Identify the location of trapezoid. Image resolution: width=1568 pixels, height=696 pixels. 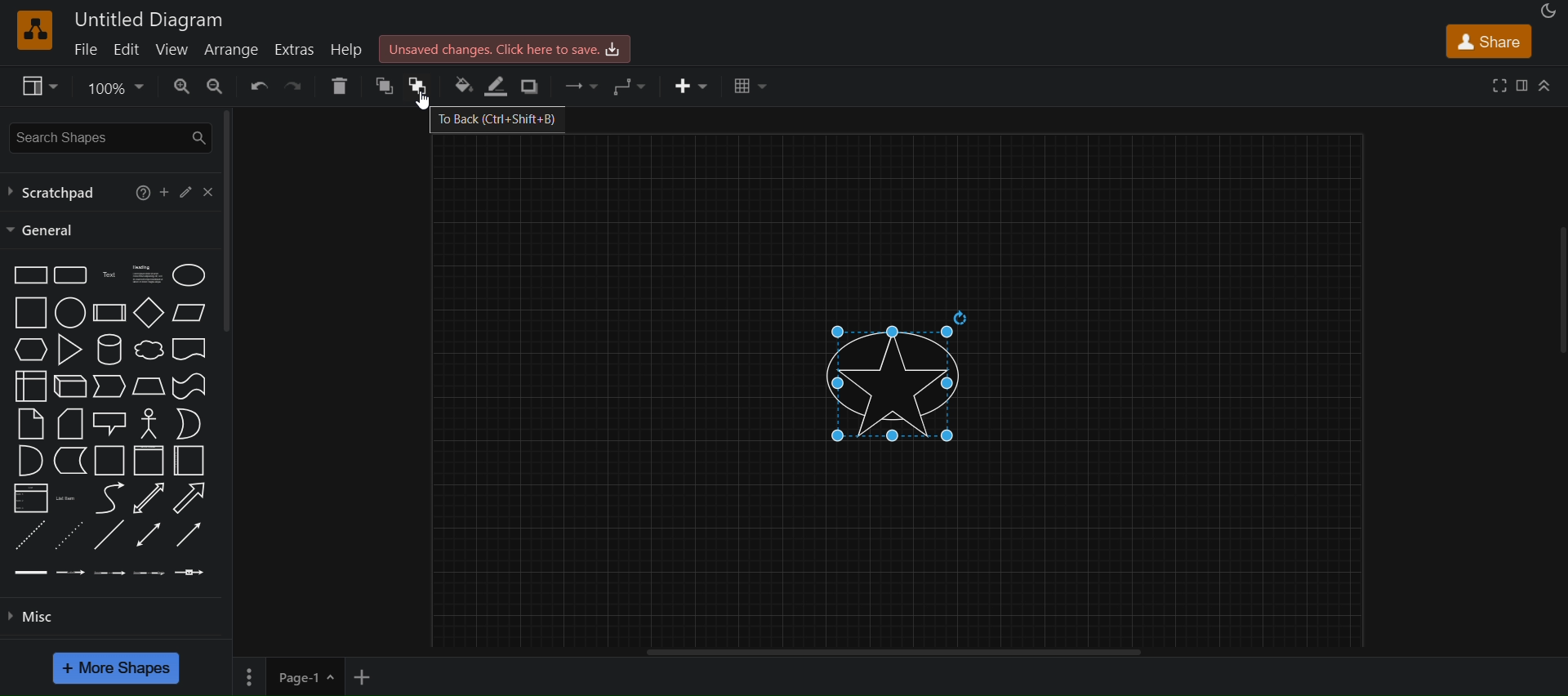
(148, 386).